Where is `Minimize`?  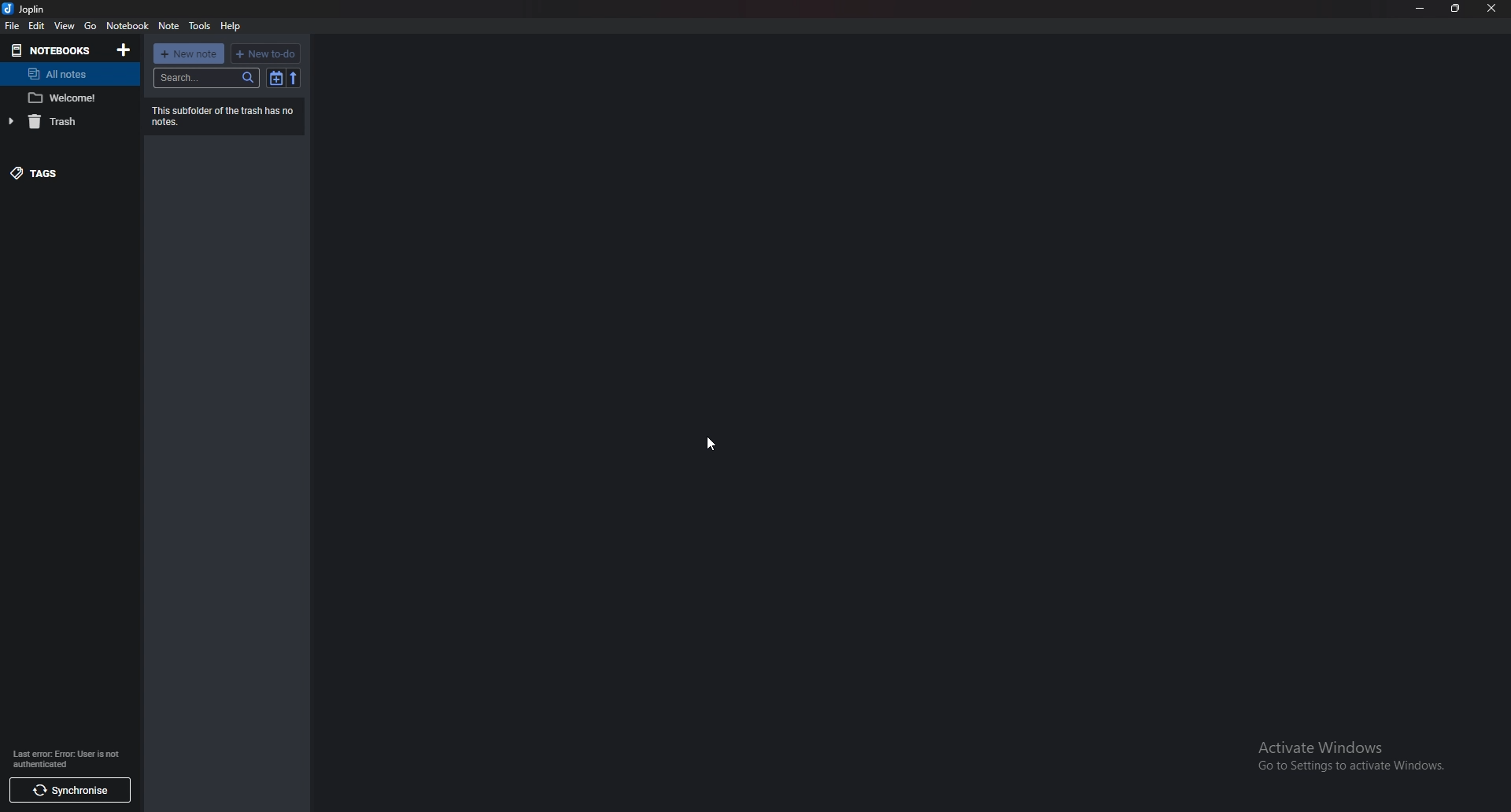 Minimize is located at coordinates (1419, 8).